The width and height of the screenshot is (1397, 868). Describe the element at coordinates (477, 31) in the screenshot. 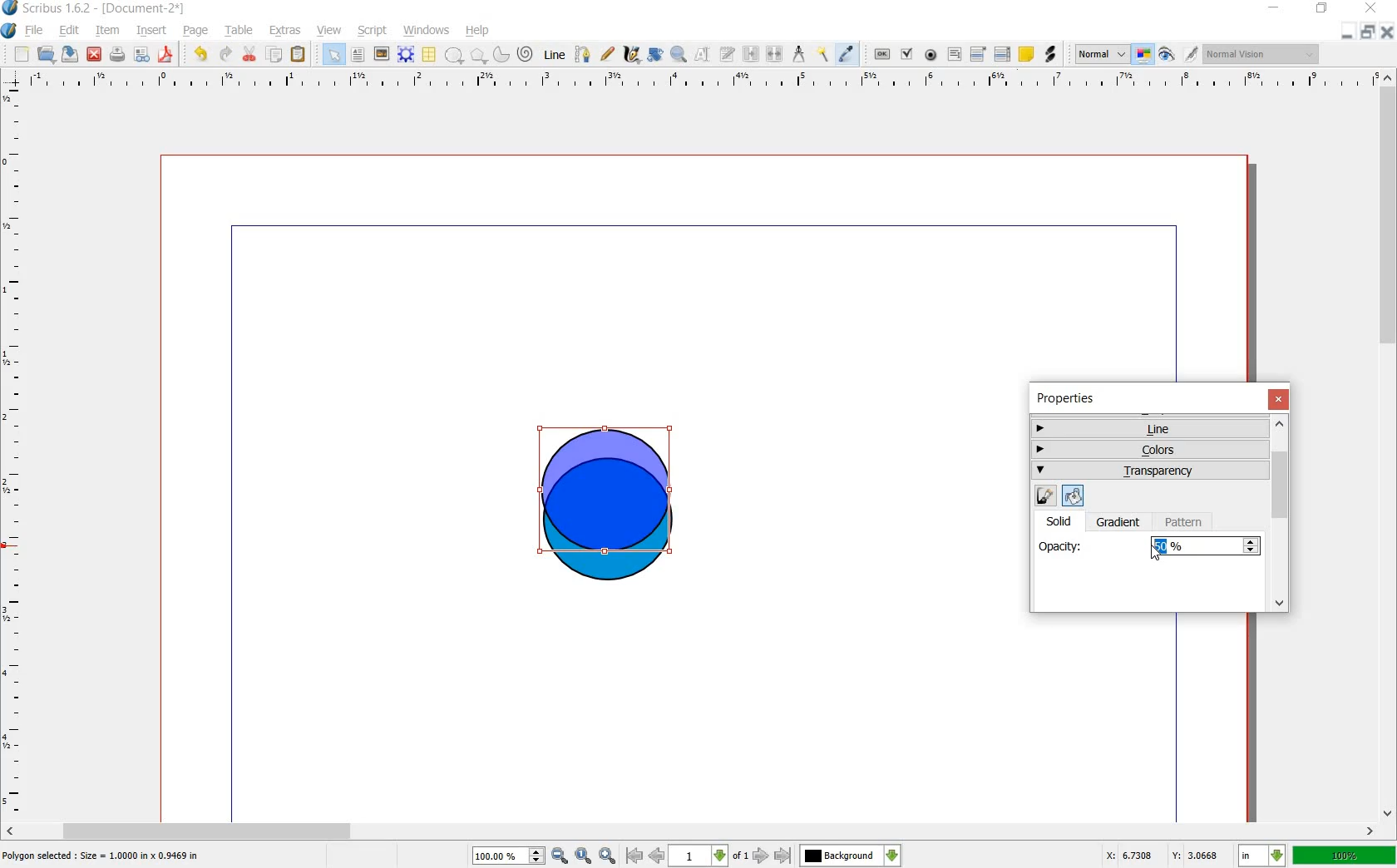

I see `help` at that location.